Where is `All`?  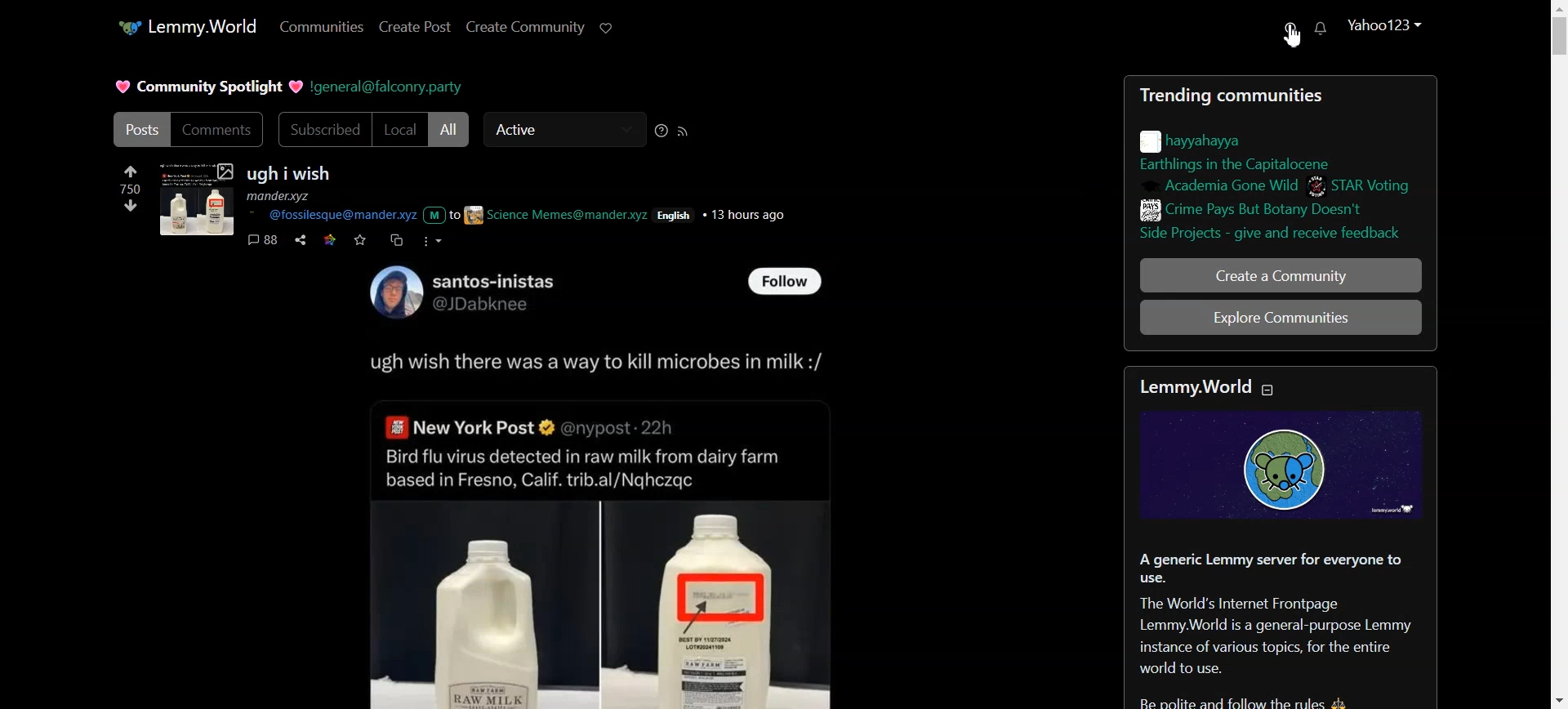 All is located at coordinates (452, 130).